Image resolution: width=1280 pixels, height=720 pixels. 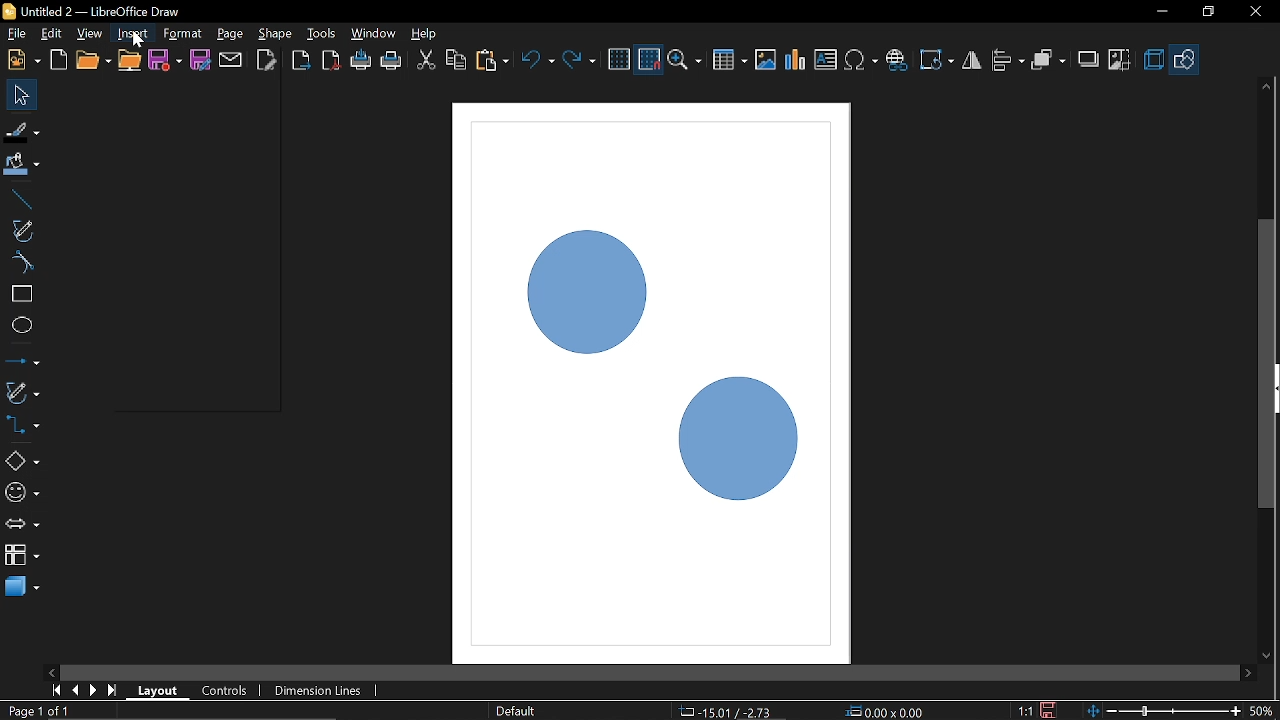 I want to click on Cut, so click(x=426, y=62).